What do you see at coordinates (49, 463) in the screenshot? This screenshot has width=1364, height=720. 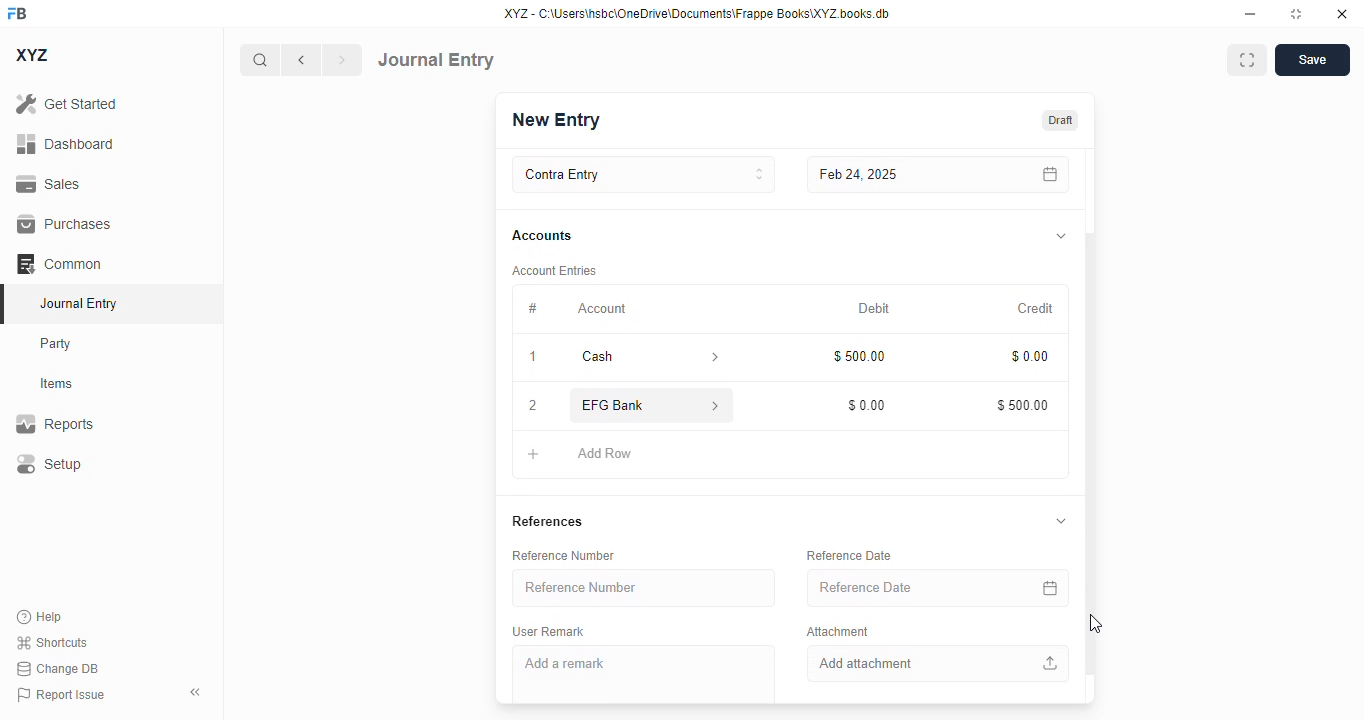 I see `setup` at bounding box center [49, 463].